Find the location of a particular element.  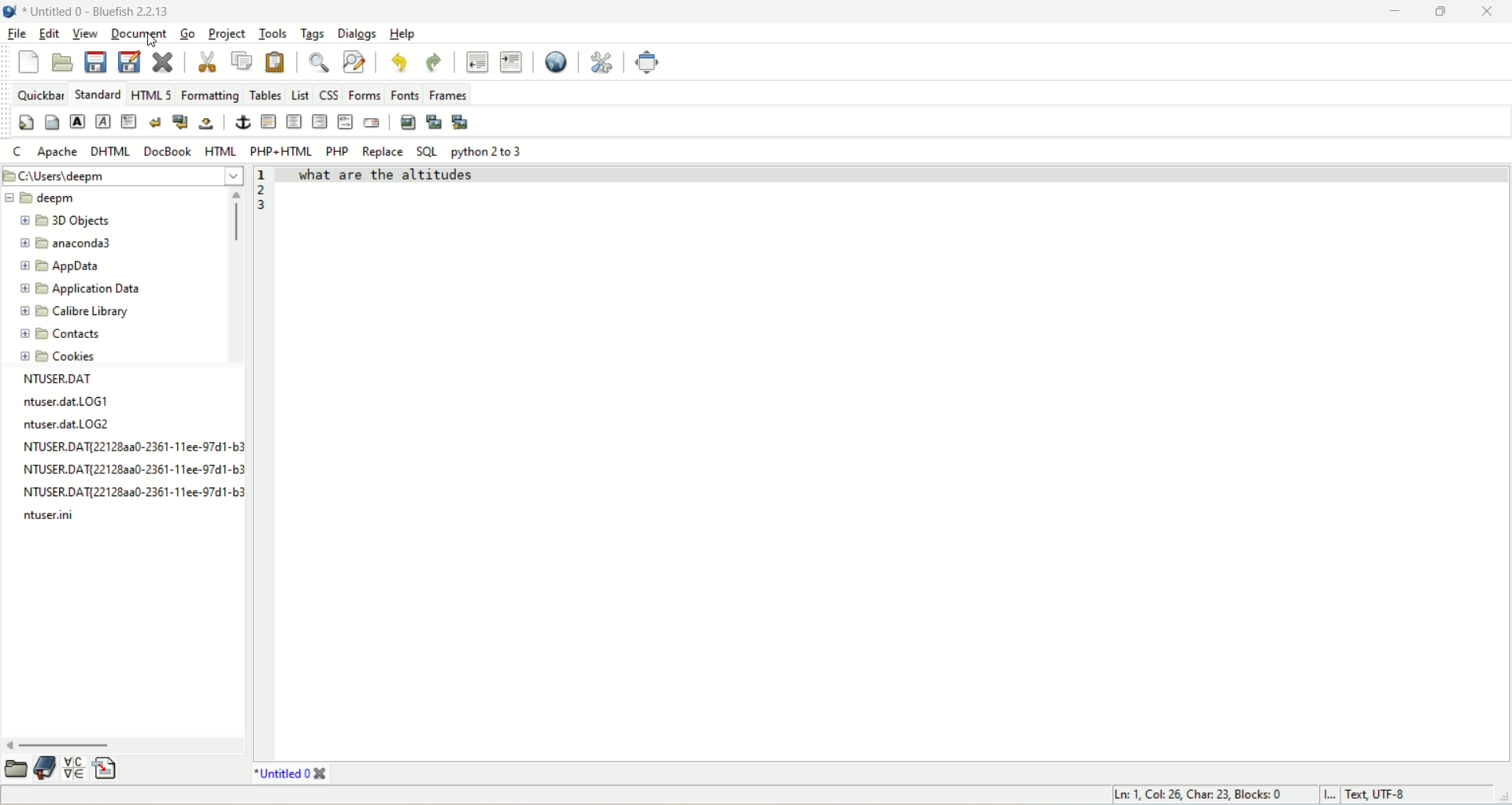

save file as is located at coordinates (132, 62).